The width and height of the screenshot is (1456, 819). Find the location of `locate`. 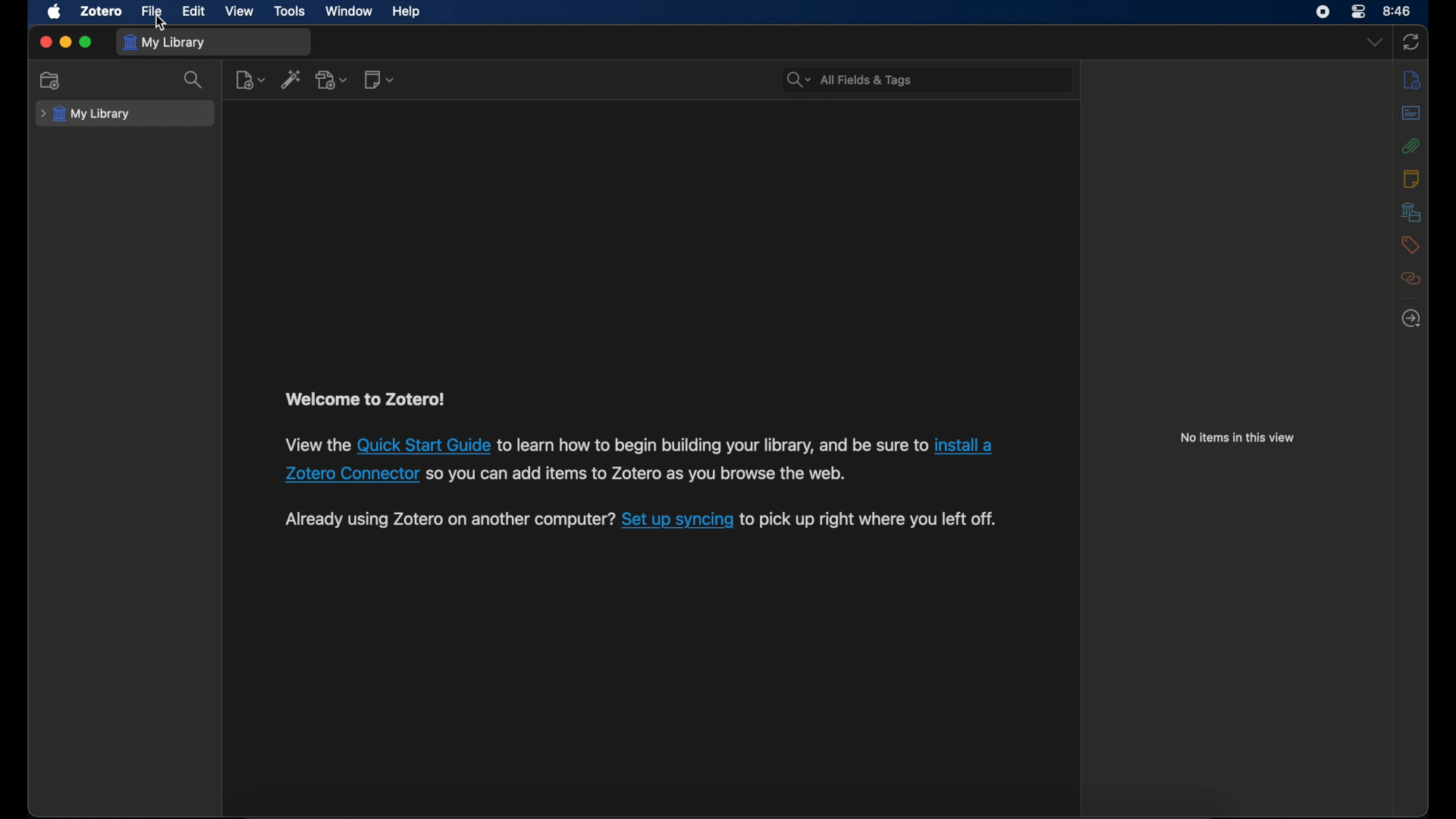

locate is located at coordinates (1410, 319).